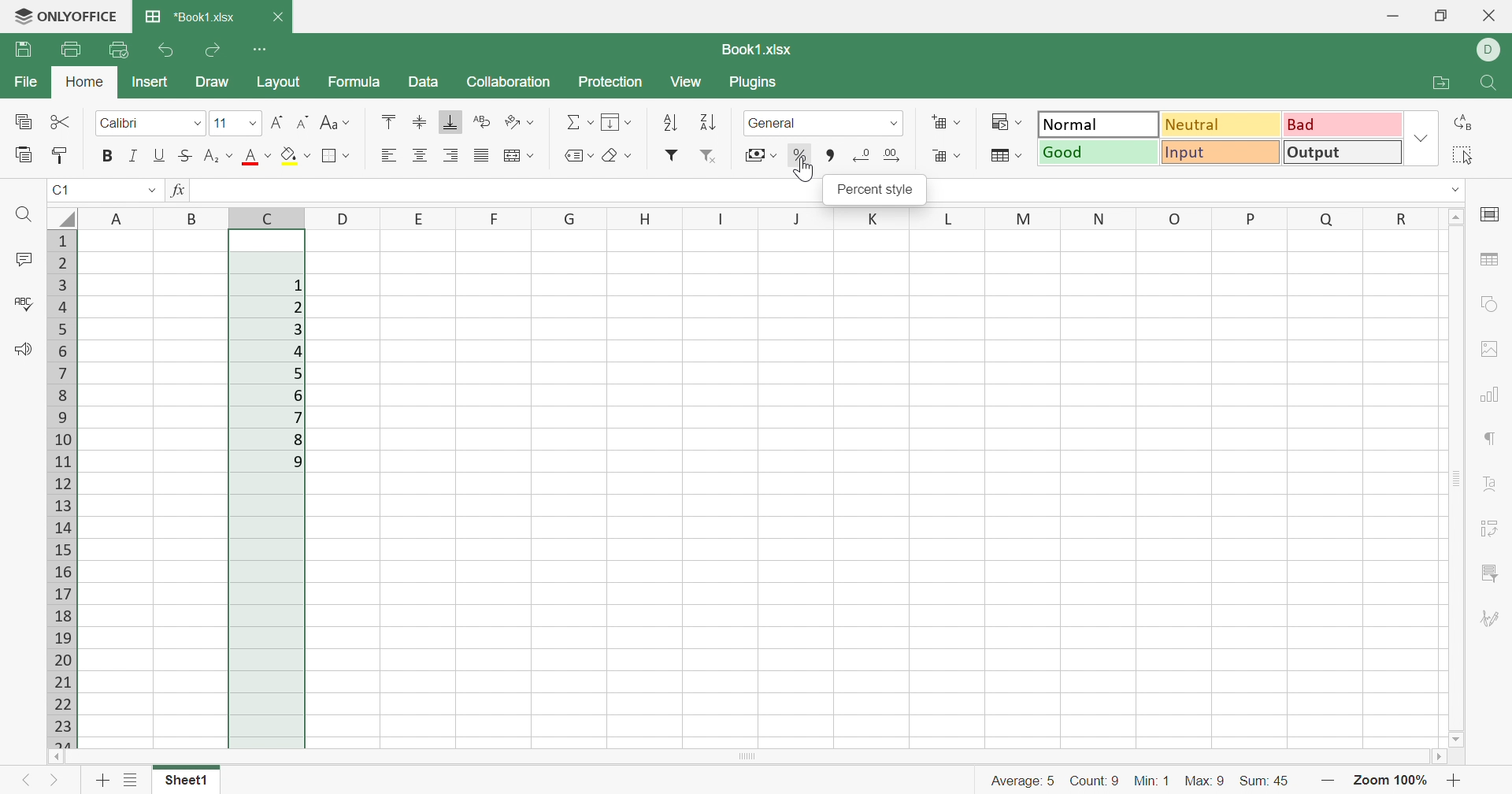  Describe the element at coordinates (60, 121) in the screenshot. I see `Cut` at that location.